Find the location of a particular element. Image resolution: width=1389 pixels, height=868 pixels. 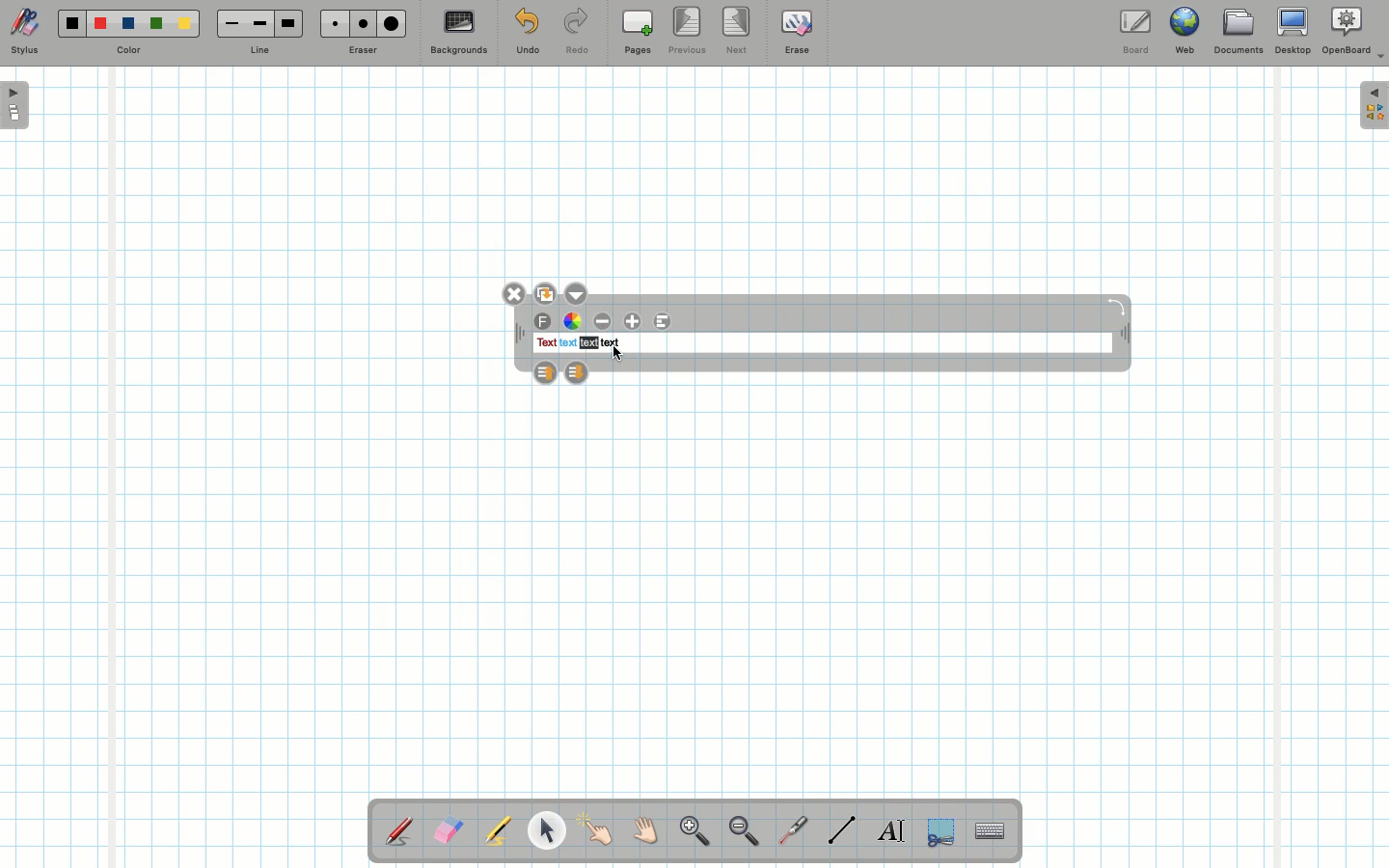

Erase is located at coordinates (796, 31).